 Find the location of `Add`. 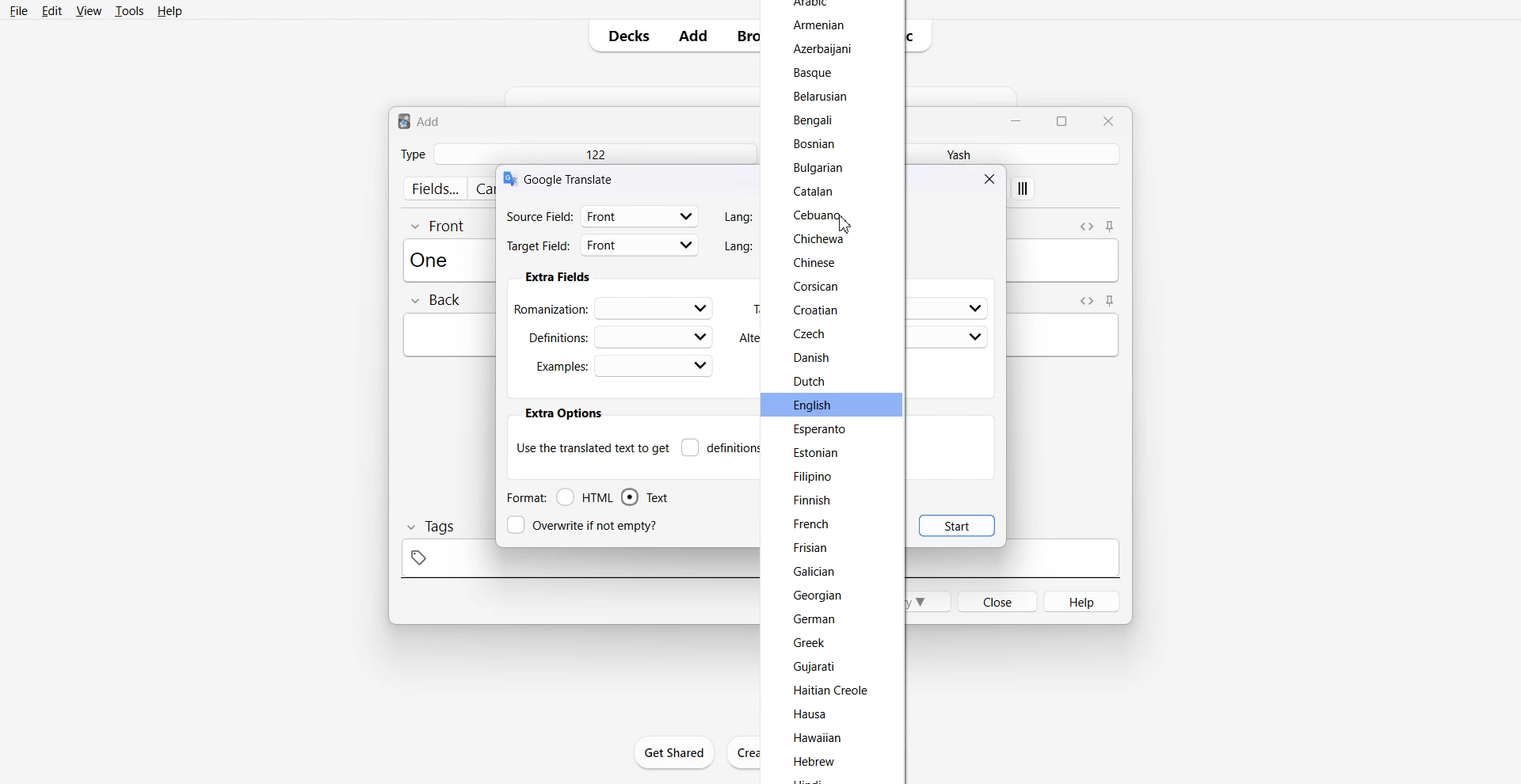

Add is located at coordinates (693, 36).